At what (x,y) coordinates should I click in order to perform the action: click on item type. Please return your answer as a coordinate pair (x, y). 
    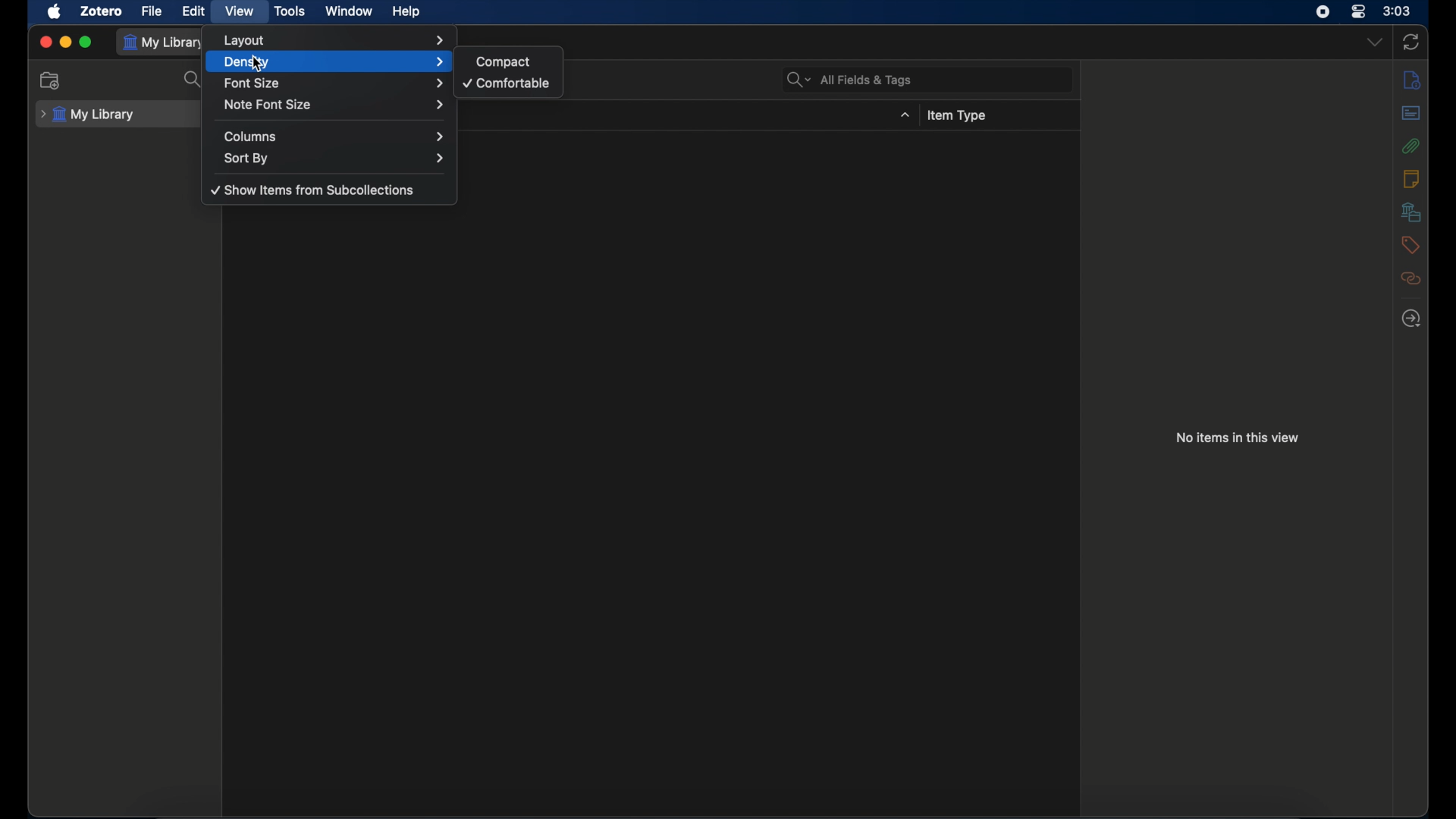
    Looking at the image, I should click on (959, 117).